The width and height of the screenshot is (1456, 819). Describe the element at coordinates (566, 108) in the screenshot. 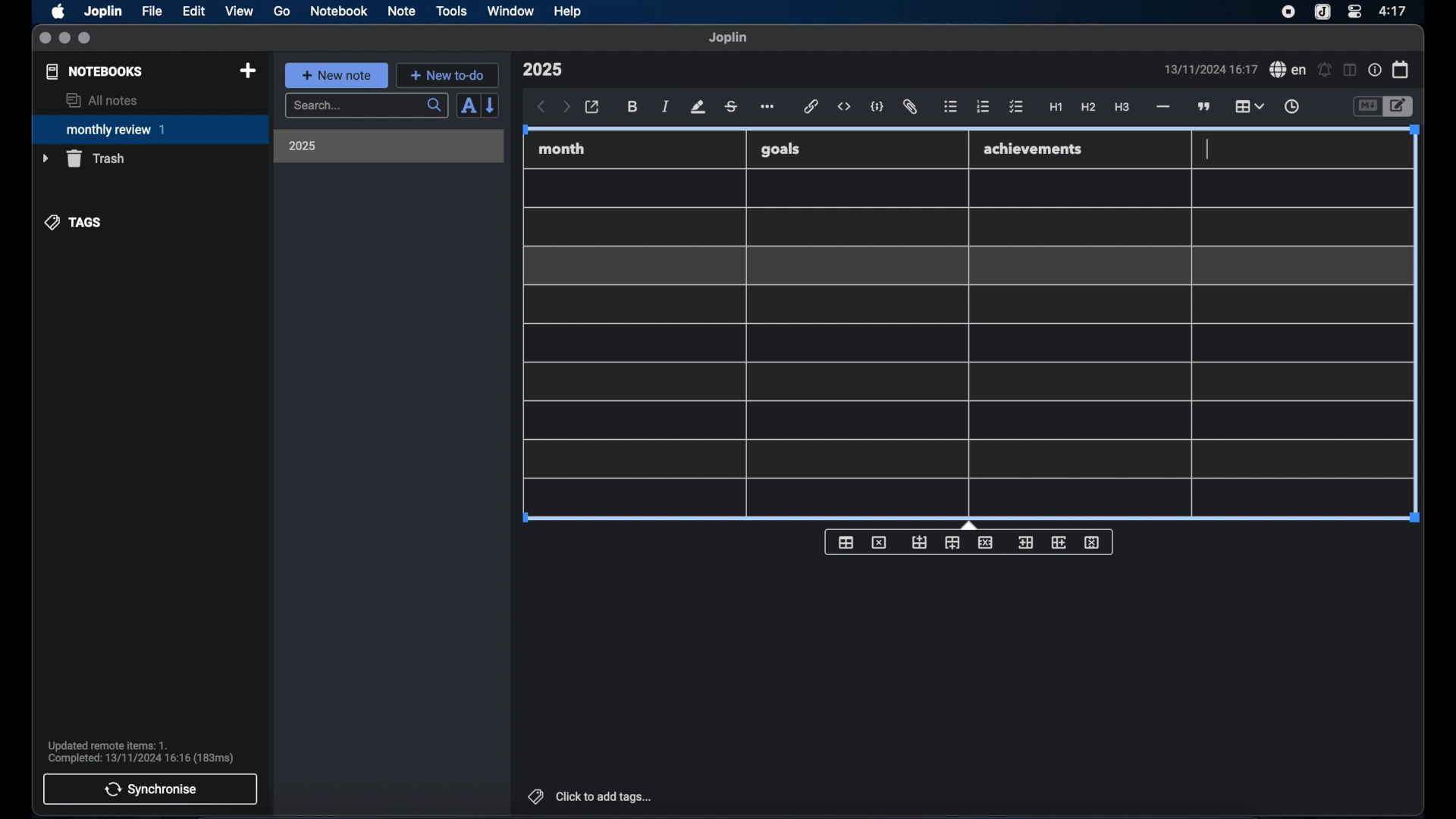

I see `forward` at that location.